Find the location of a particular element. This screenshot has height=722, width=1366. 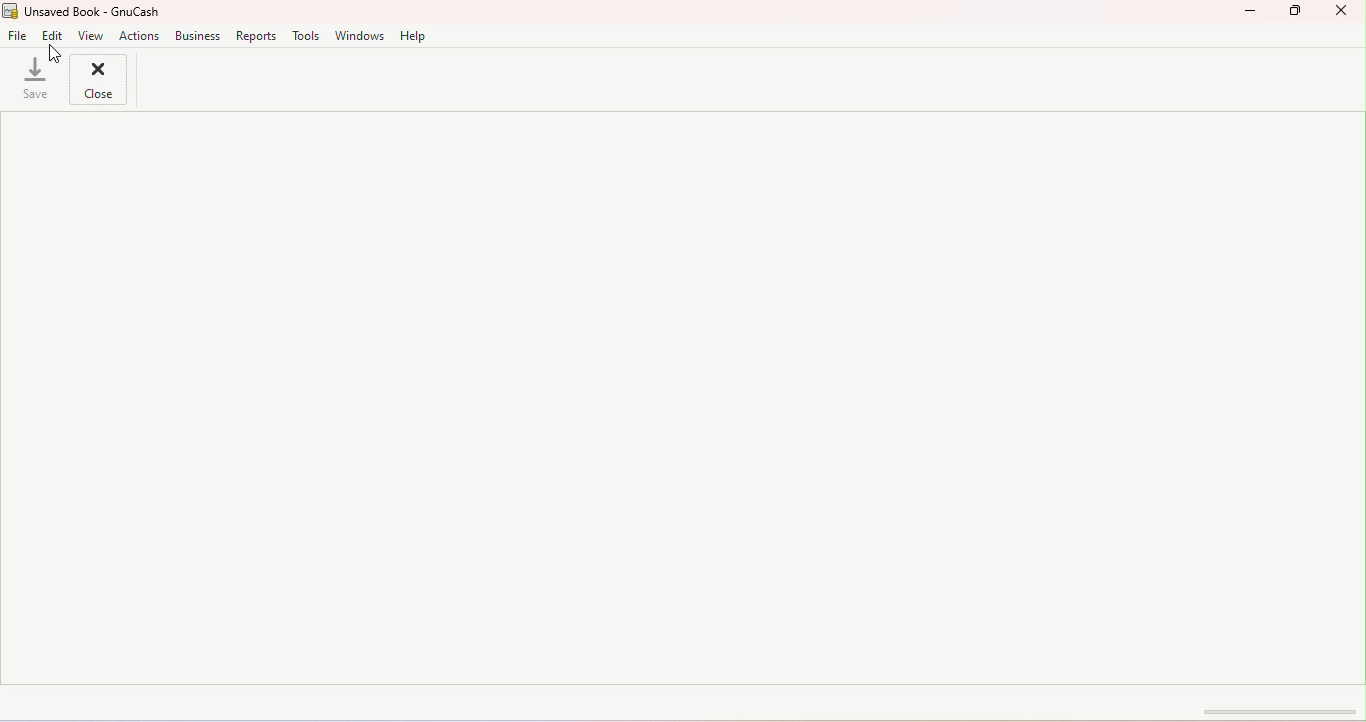

Business is located at coordinates (195, 37).